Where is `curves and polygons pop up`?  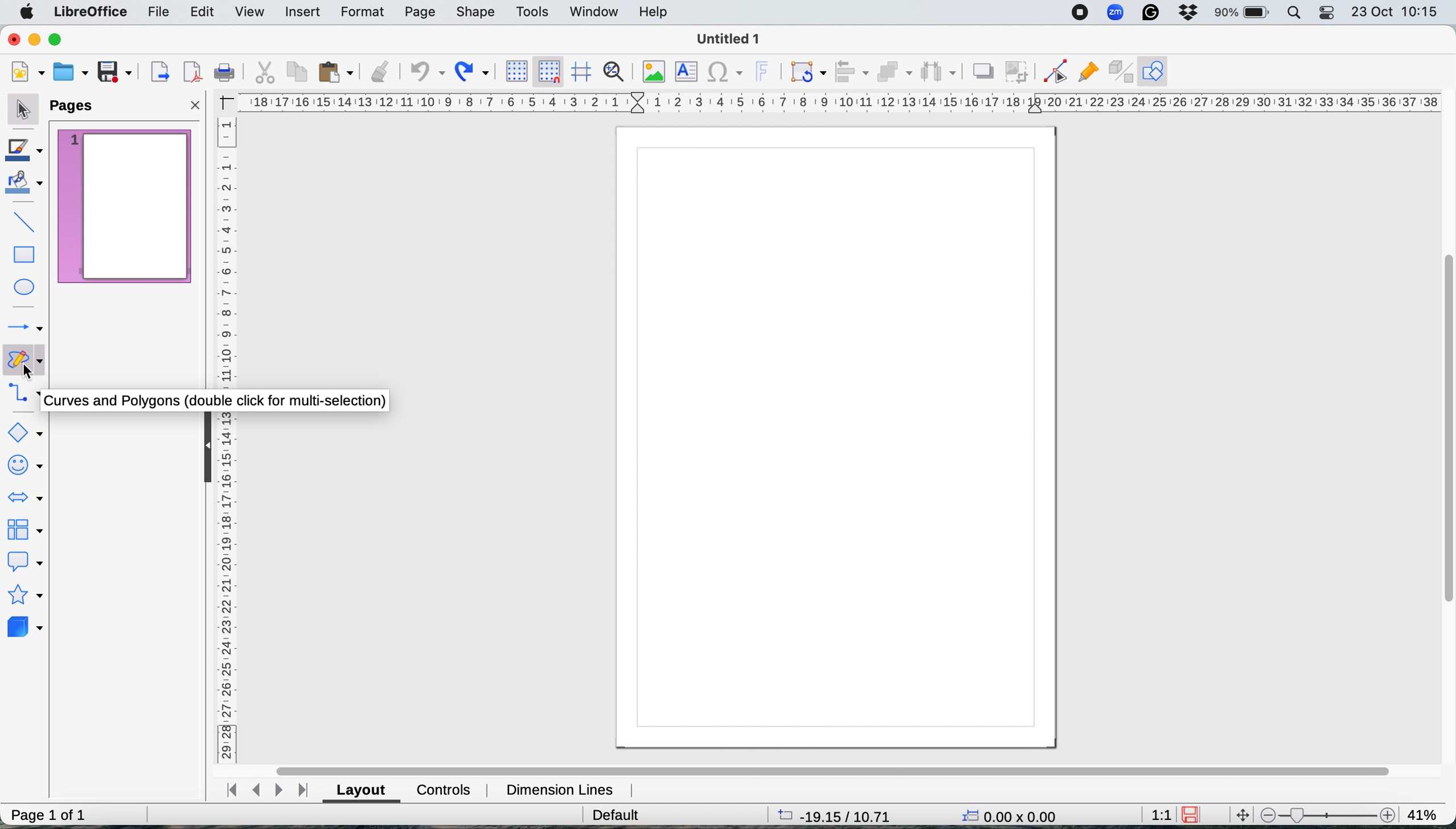
curves and polygons pop up is located at coordinates (215, 401).